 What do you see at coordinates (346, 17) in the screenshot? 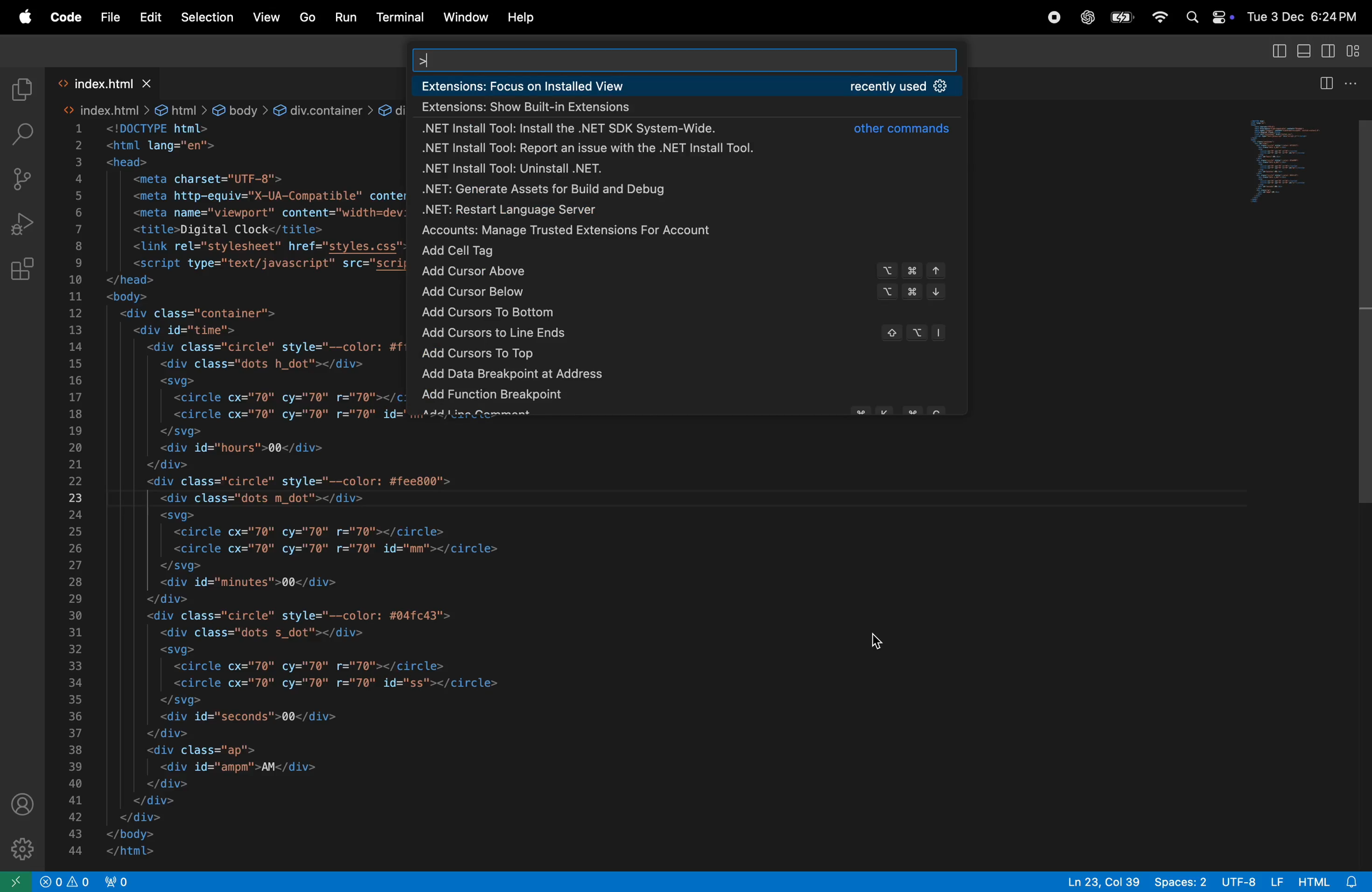
I see `run` at bounding box center [346, 17].